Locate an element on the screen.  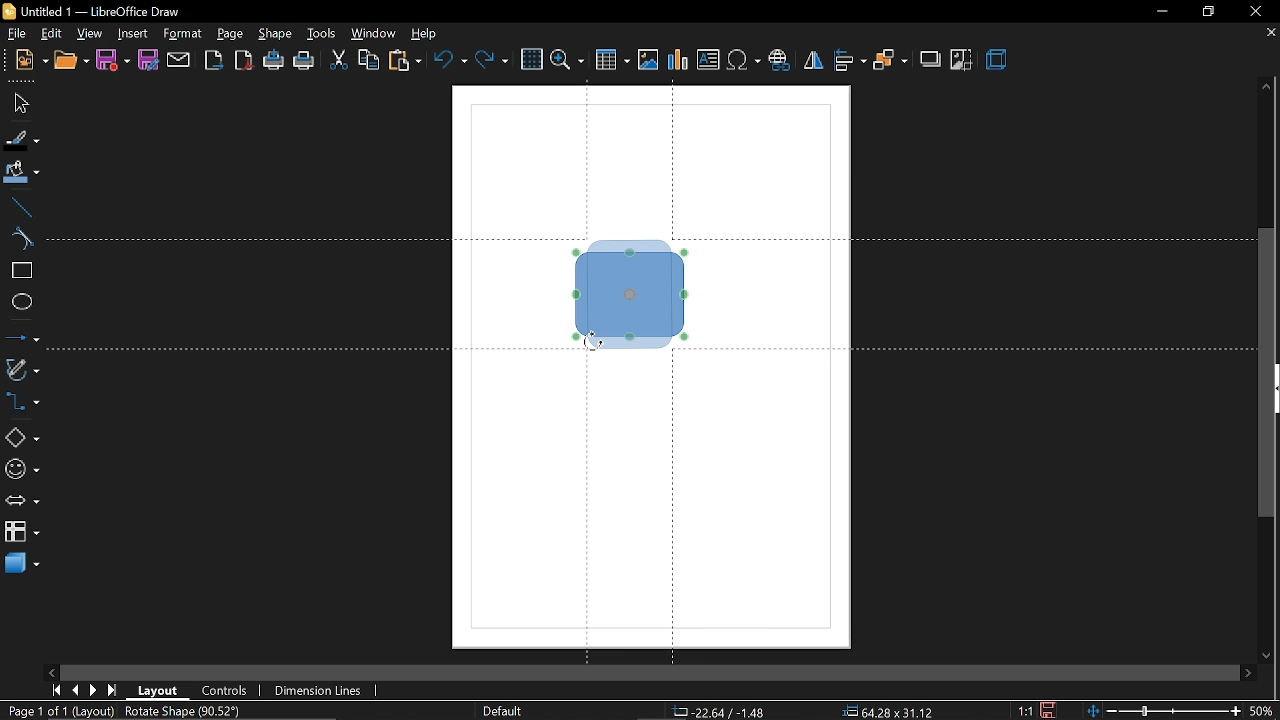
Cursor is located at coordinates (593, 344).